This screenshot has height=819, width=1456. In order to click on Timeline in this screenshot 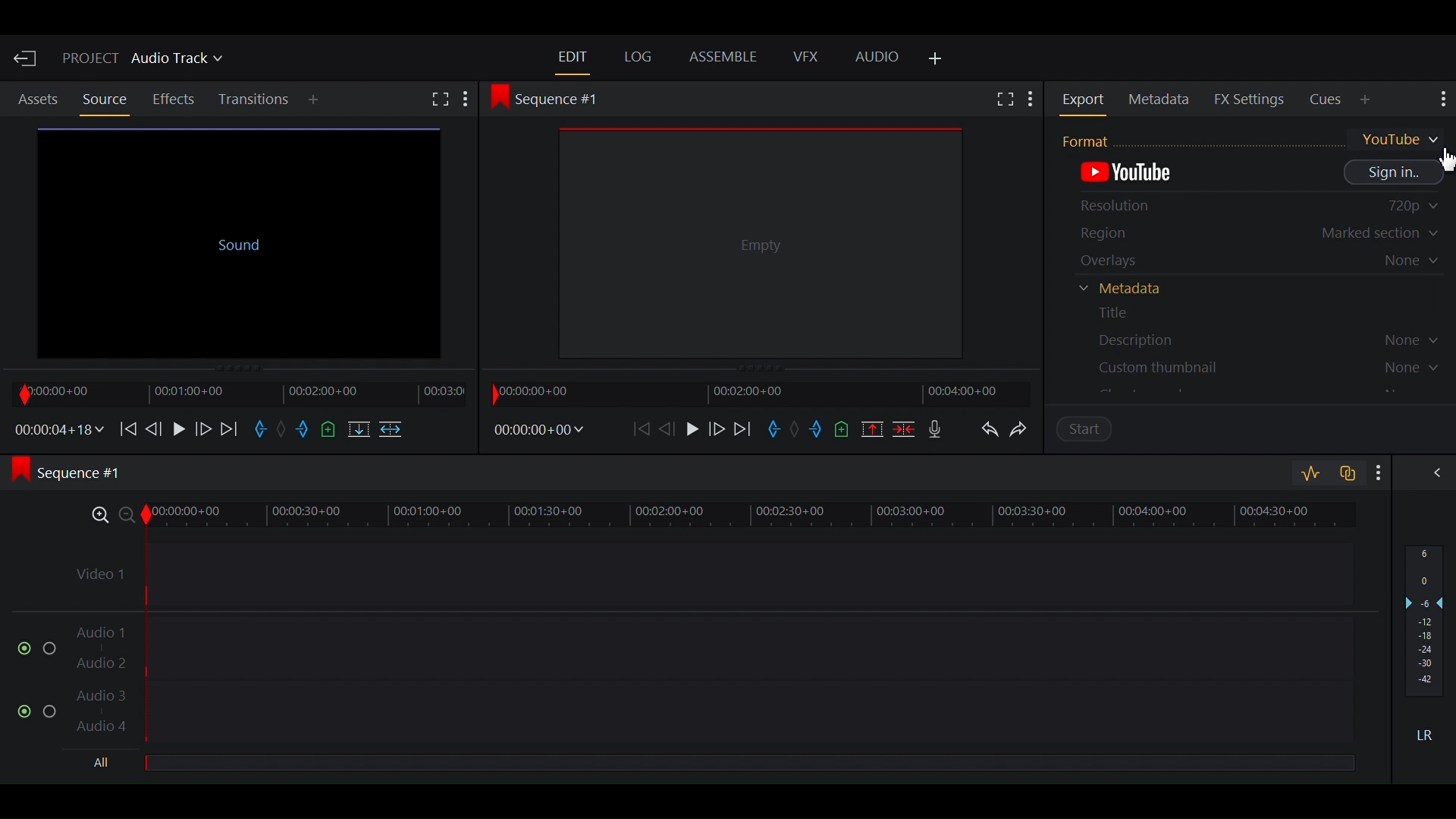, I will do `click(234, 393)`.